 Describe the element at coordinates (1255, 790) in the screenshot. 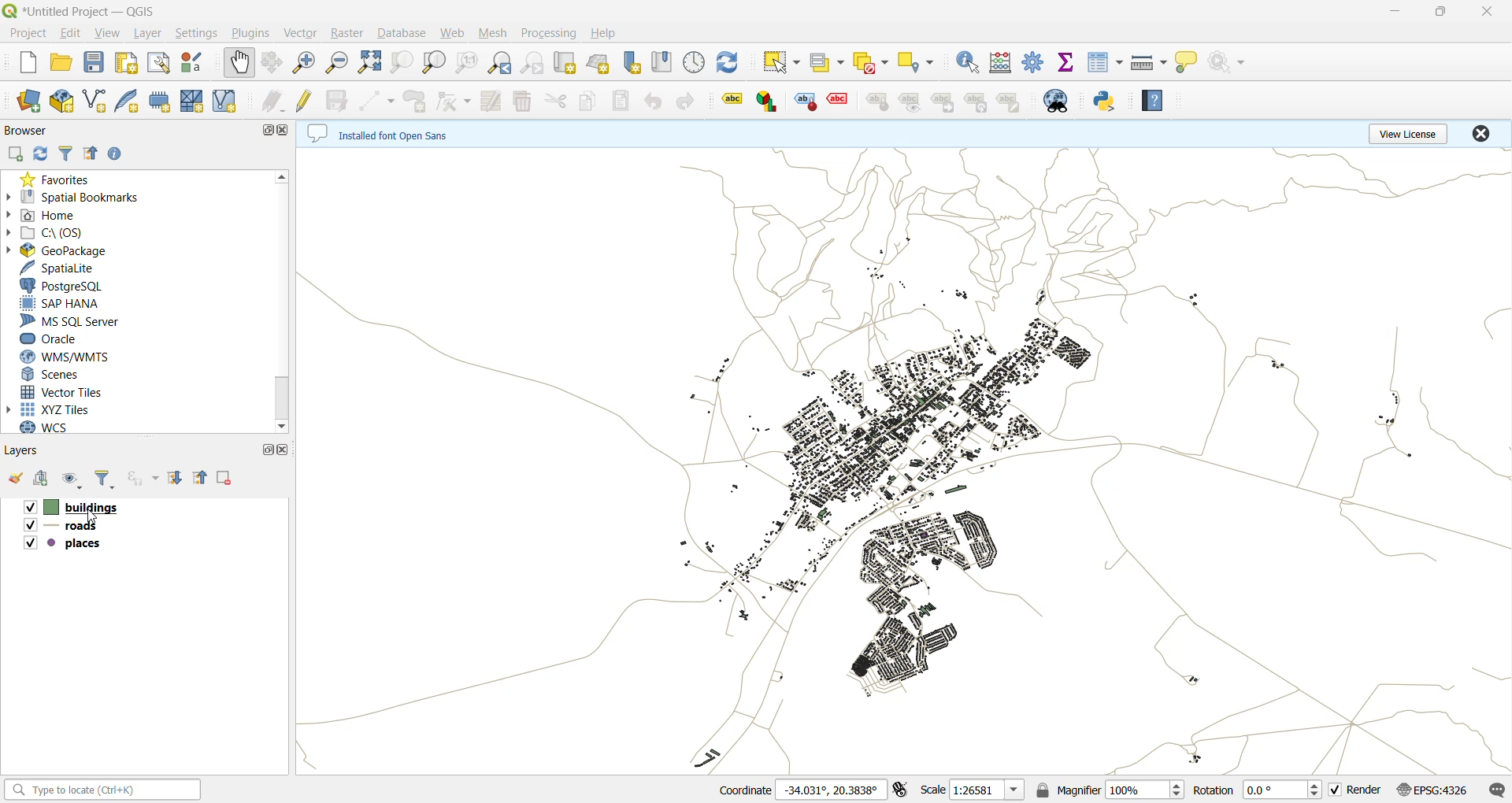

I see `rotation` at that location.